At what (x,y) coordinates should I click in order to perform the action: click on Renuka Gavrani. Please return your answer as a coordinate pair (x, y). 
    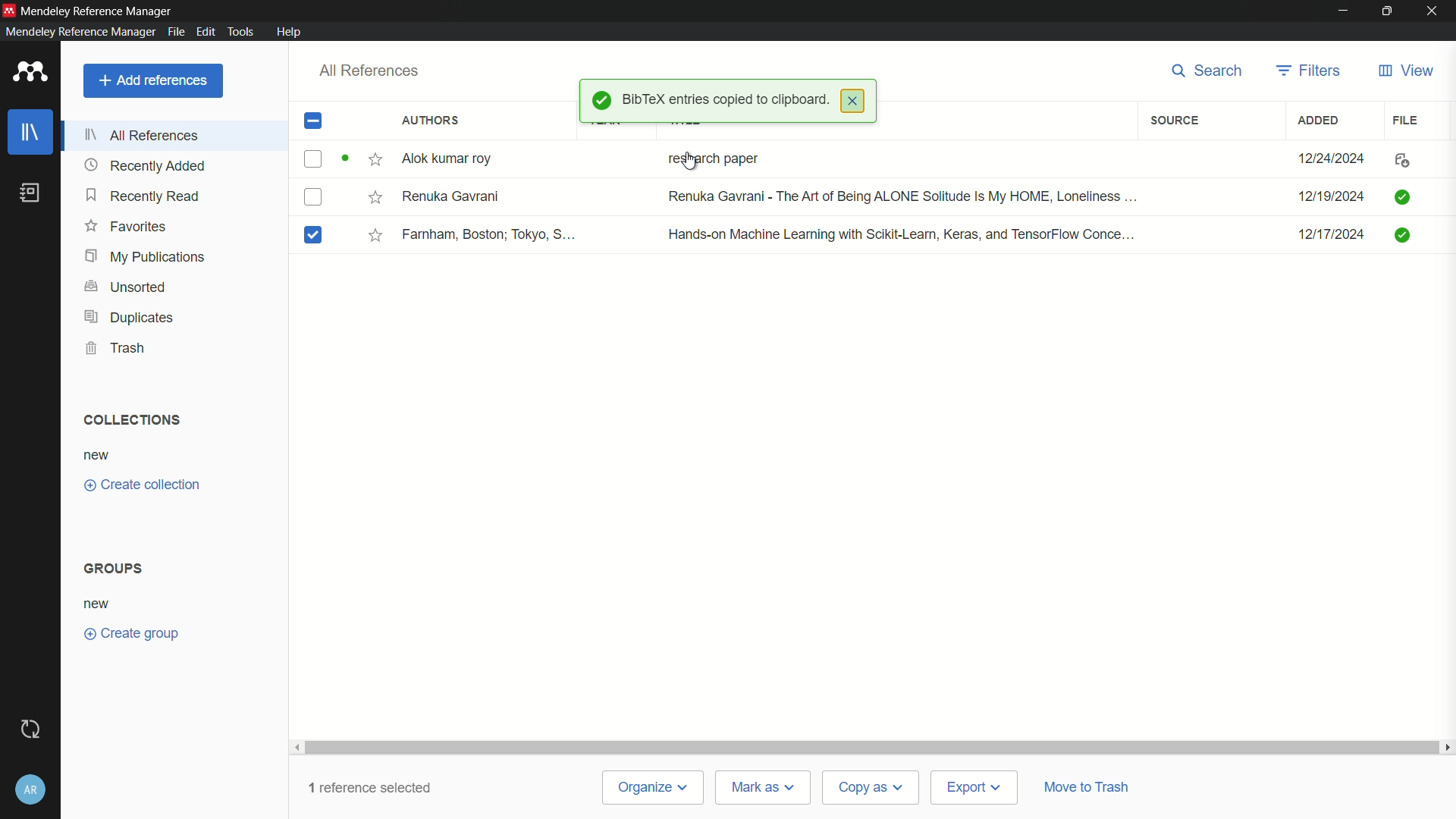
    Looking at the image, I should click on (456, 199).